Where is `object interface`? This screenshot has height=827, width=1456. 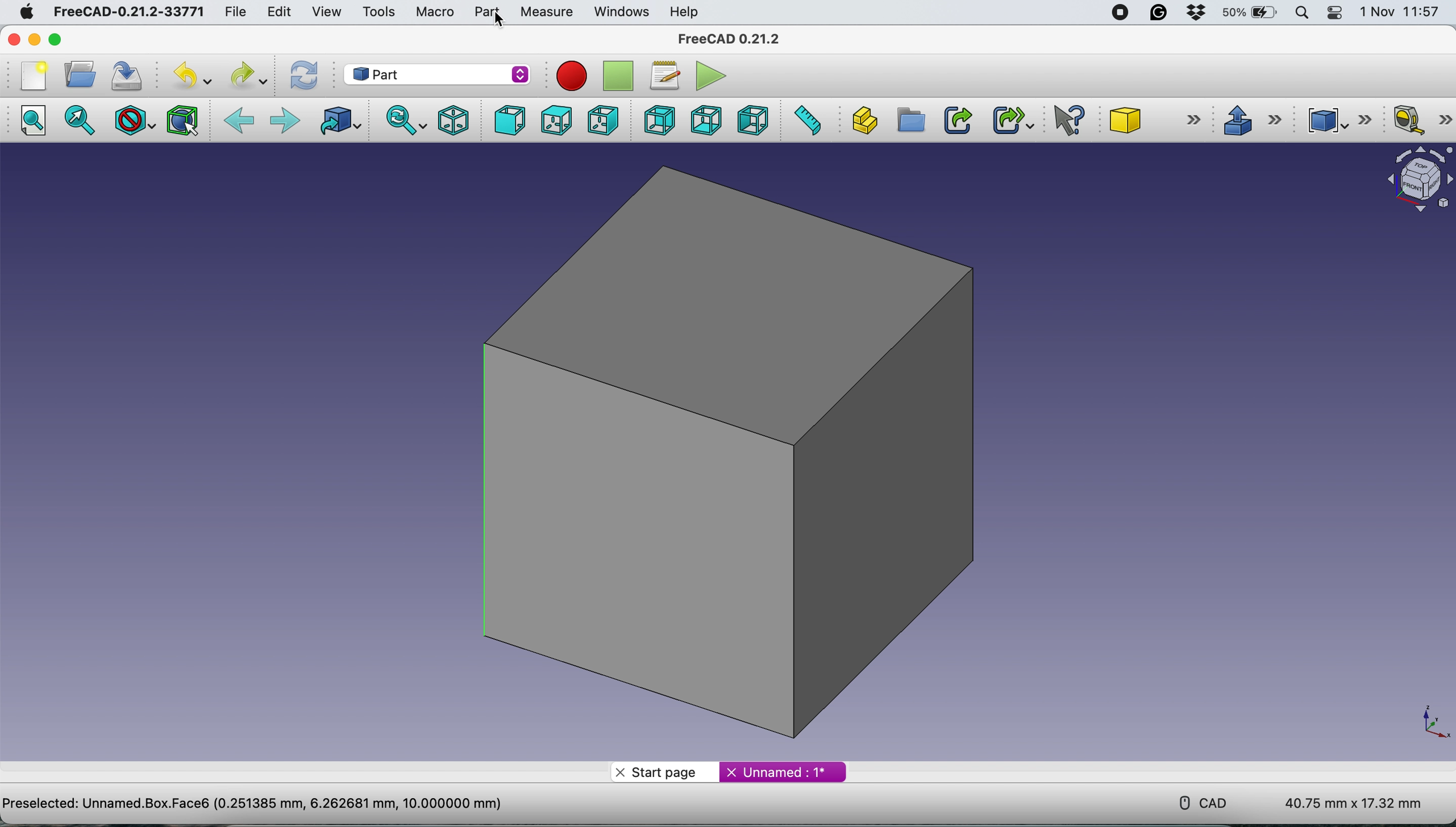 object interface is located at coordinates (1414, 182).